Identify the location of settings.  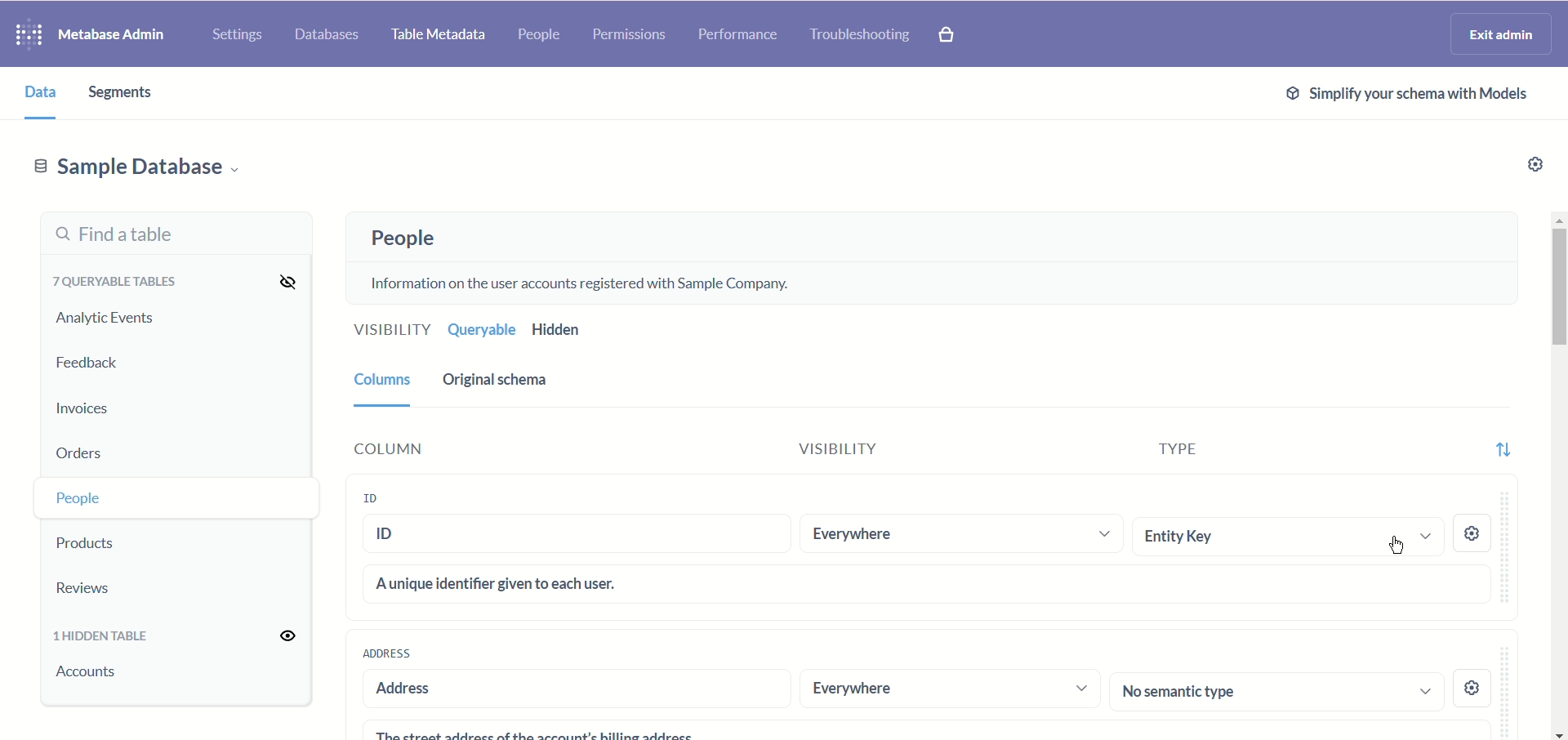
(1530, 167).